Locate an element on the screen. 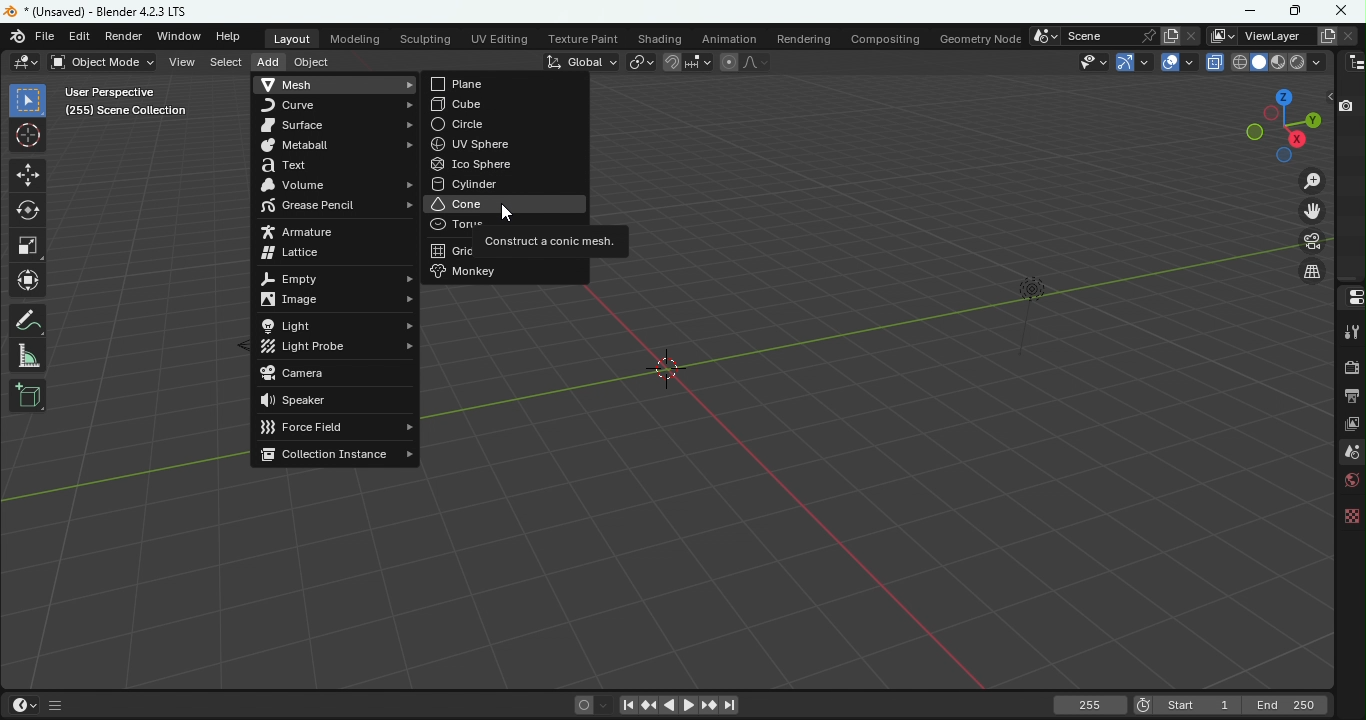 This screenshot has height=720, width=1366. Torus is located at coordinates (500, 225).